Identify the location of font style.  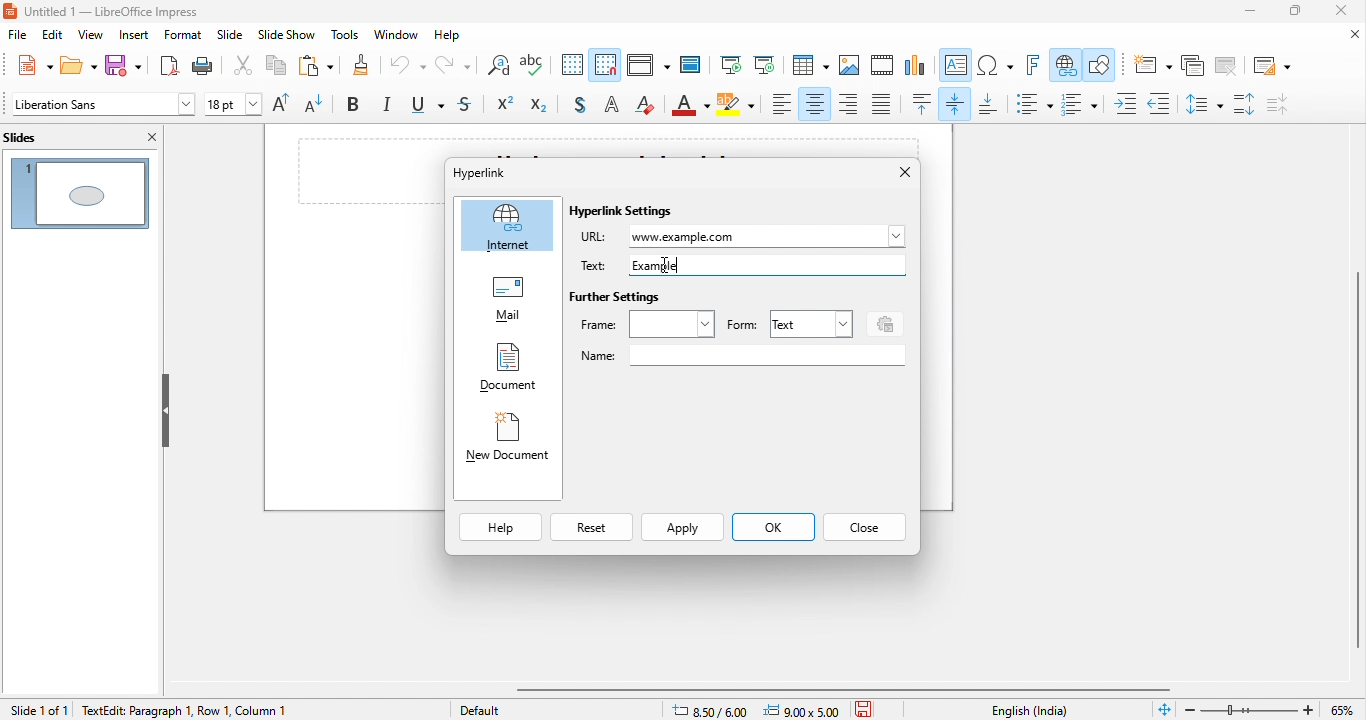
(101, 106).